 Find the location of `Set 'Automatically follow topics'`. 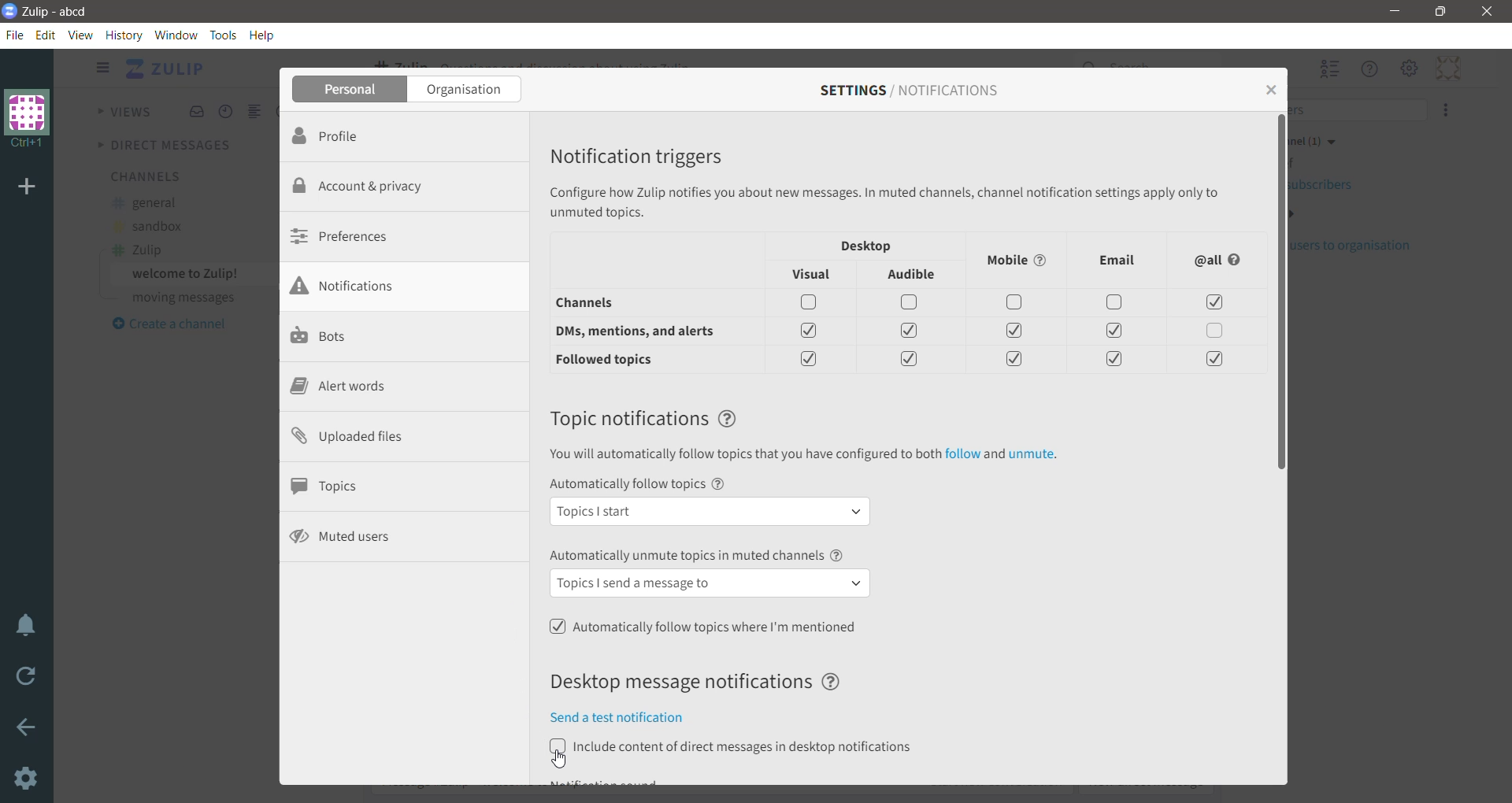

Set 'Automatically follow topics' is located at coordinates (713, 502).